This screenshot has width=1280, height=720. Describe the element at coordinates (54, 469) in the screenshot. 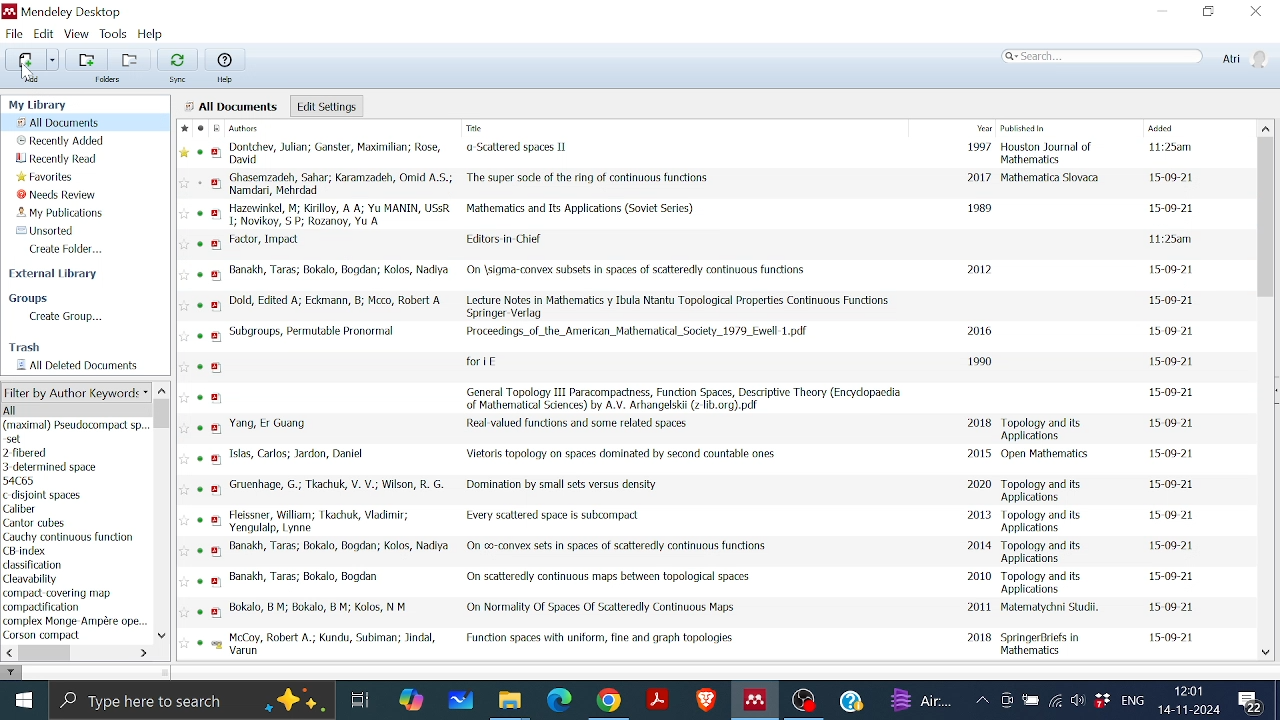

I see `author` at that location.